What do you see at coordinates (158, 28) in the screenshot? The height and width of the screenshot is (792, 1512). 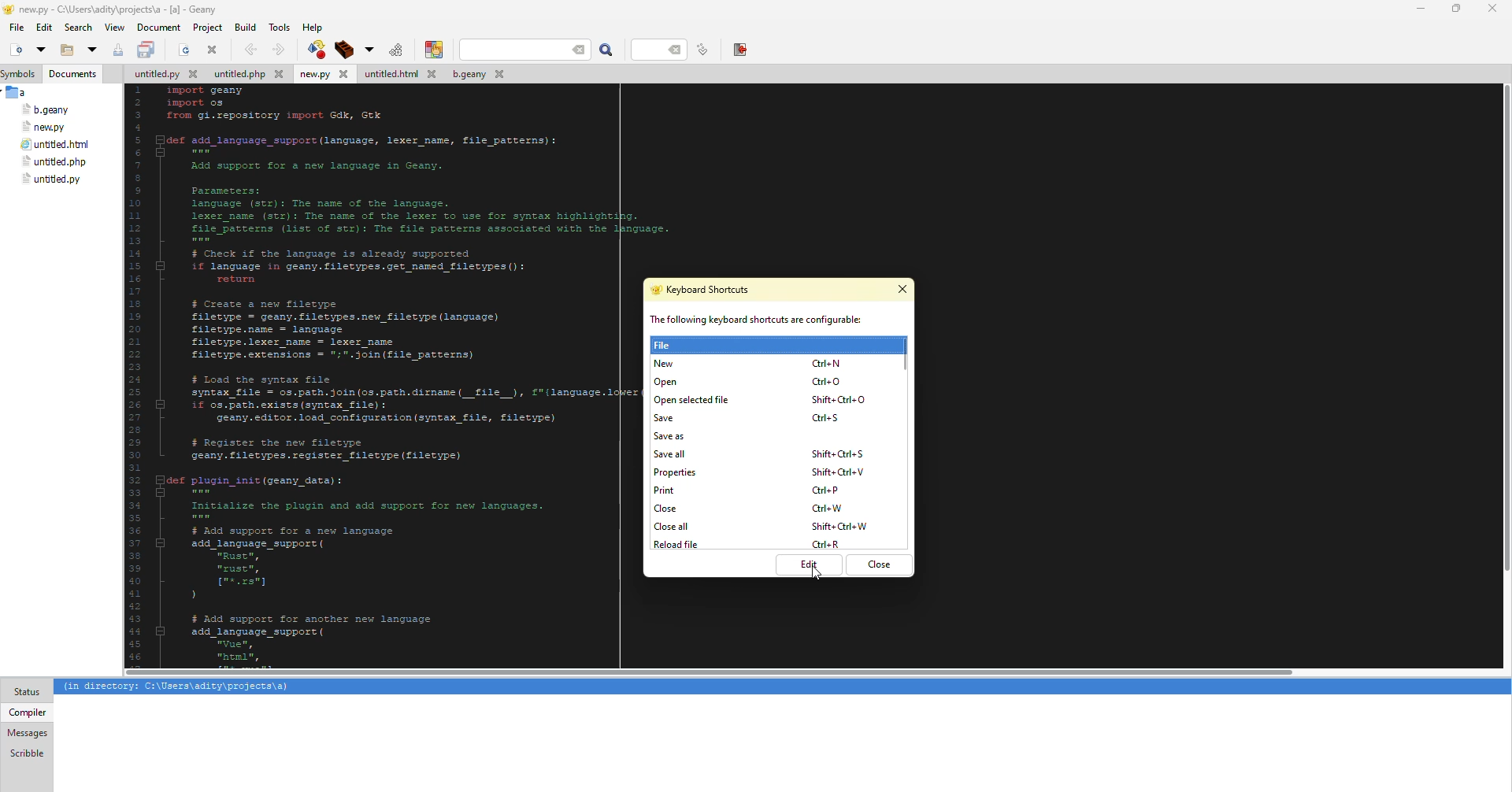 I see `document` at bounding box center [158, 28].